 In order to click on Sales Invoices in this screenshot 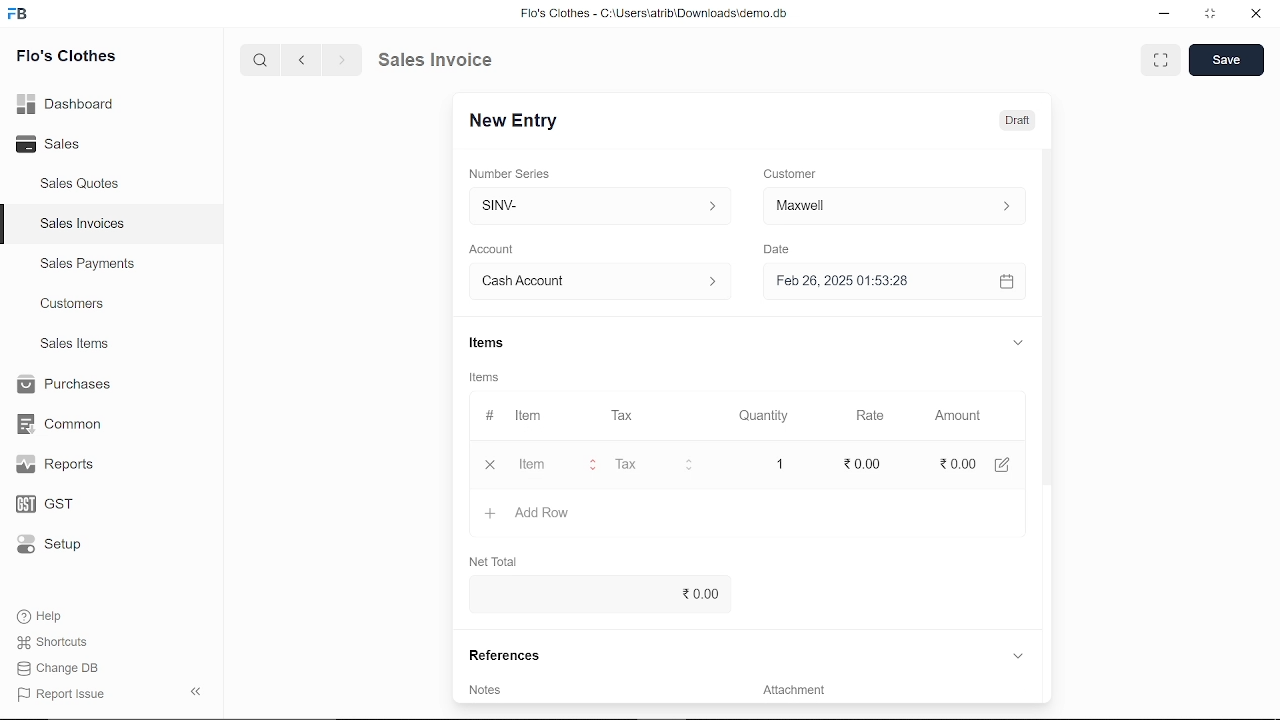, I will do `click(89, 226)`.